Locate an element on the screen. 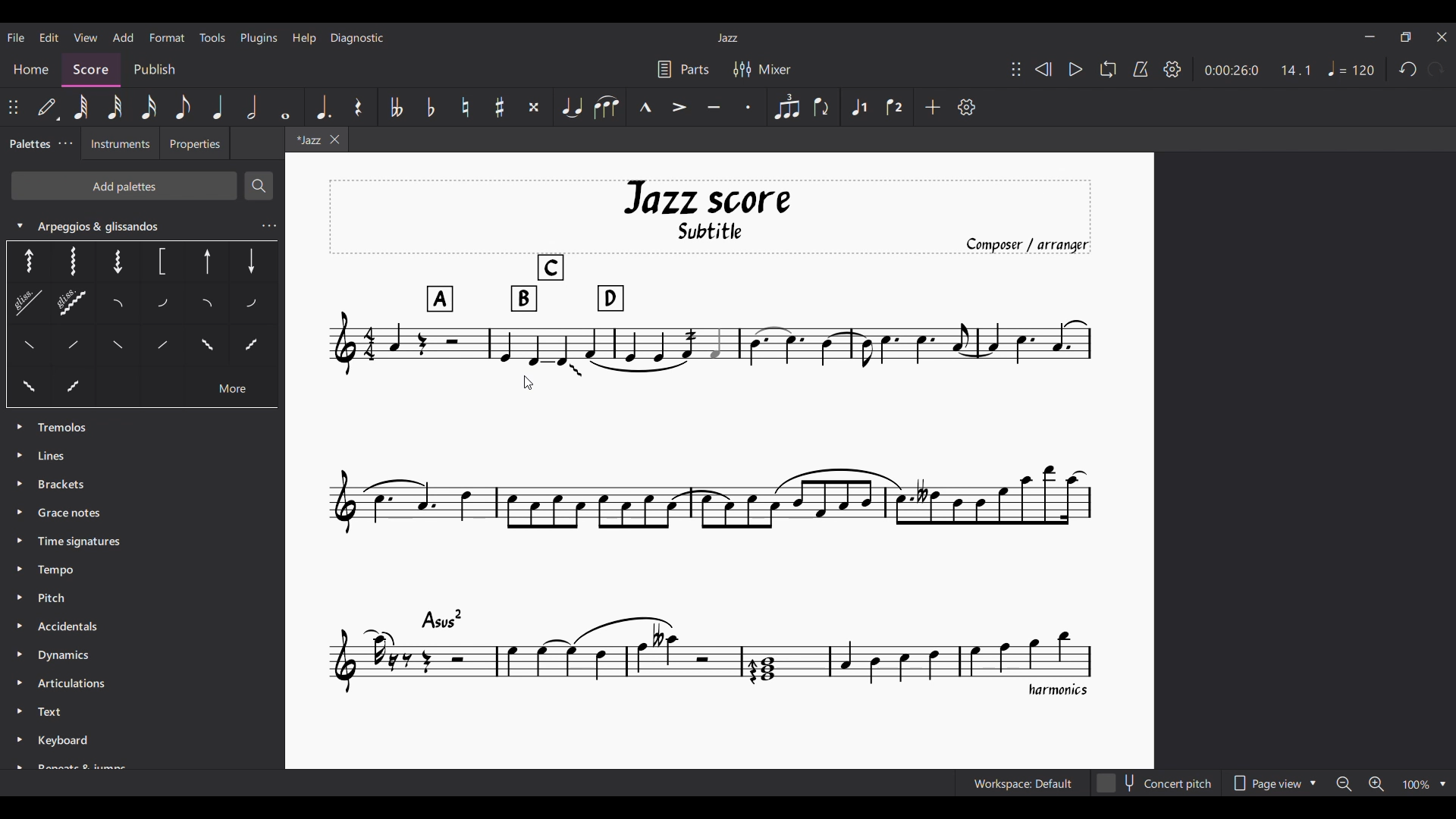 The width and height of the screenshot is (1456, 819). Toggle double flat is located at coordinates (397, 107).